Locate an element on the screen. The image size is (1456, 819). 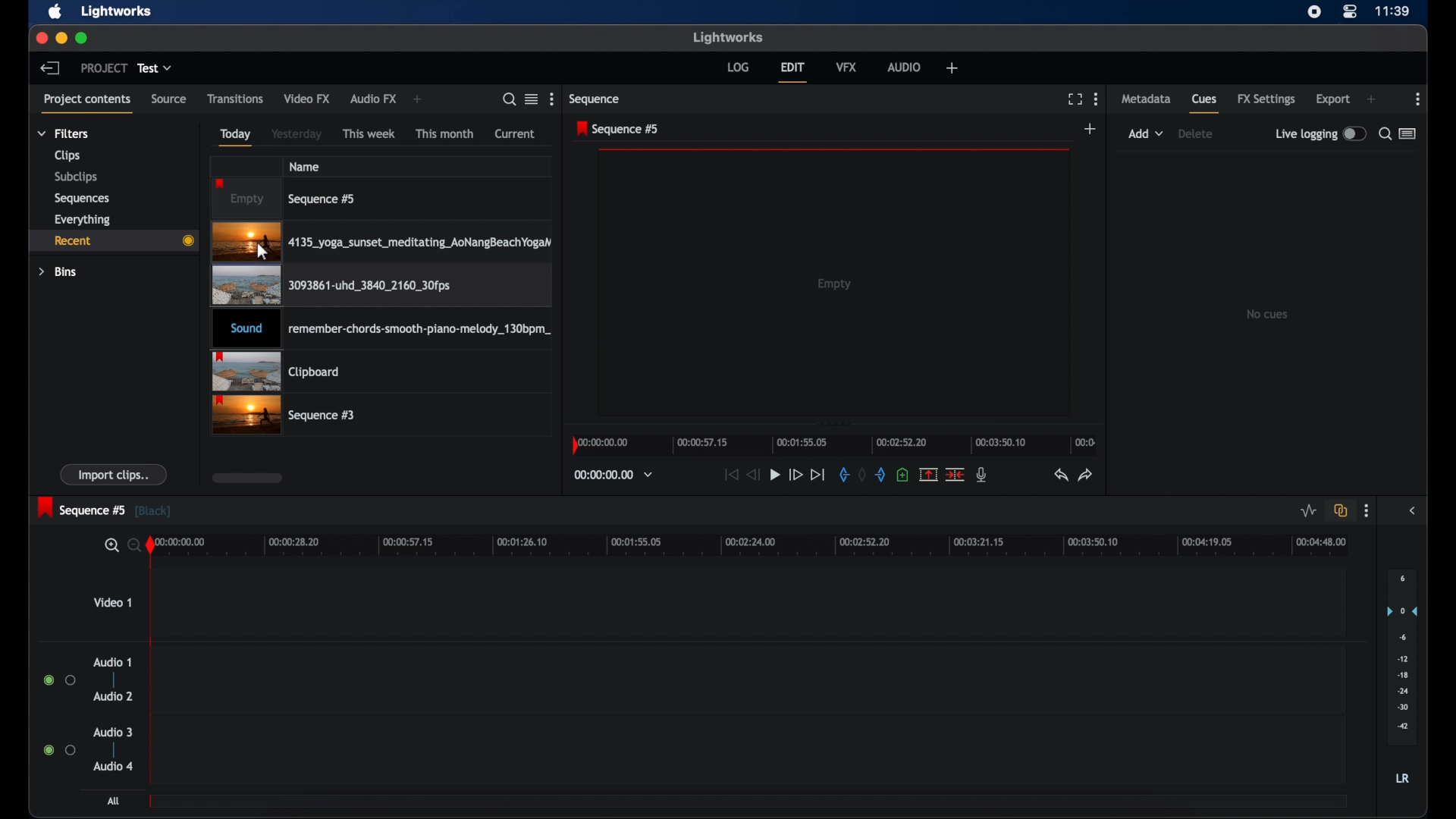
name is located at coordinates (306, 166).